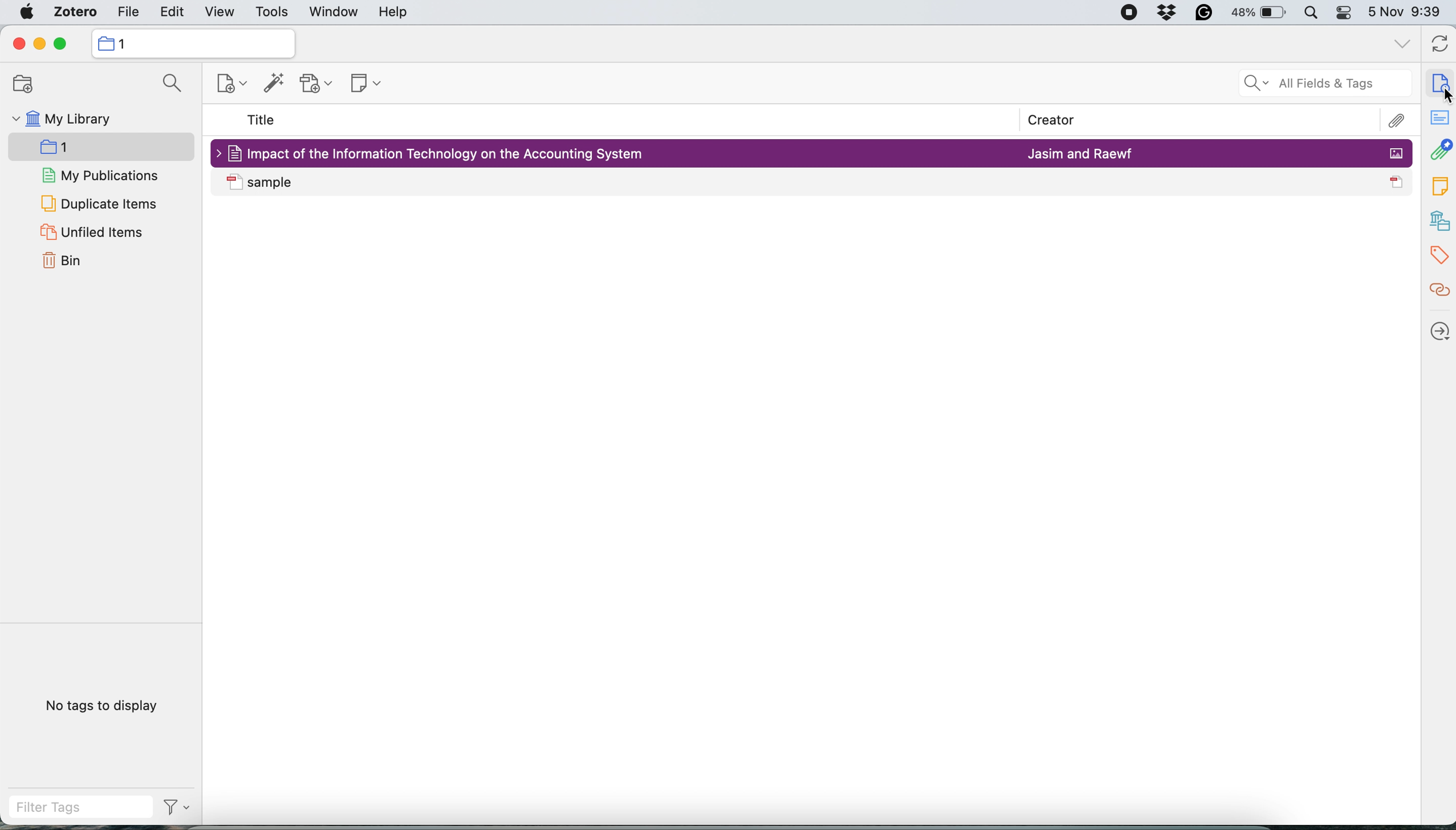 The width and height of the screenshot is (1456, 830). What do you see at coordinates (393, 13) in the screenshot?
I see `help` at bounding box center [393, 13].